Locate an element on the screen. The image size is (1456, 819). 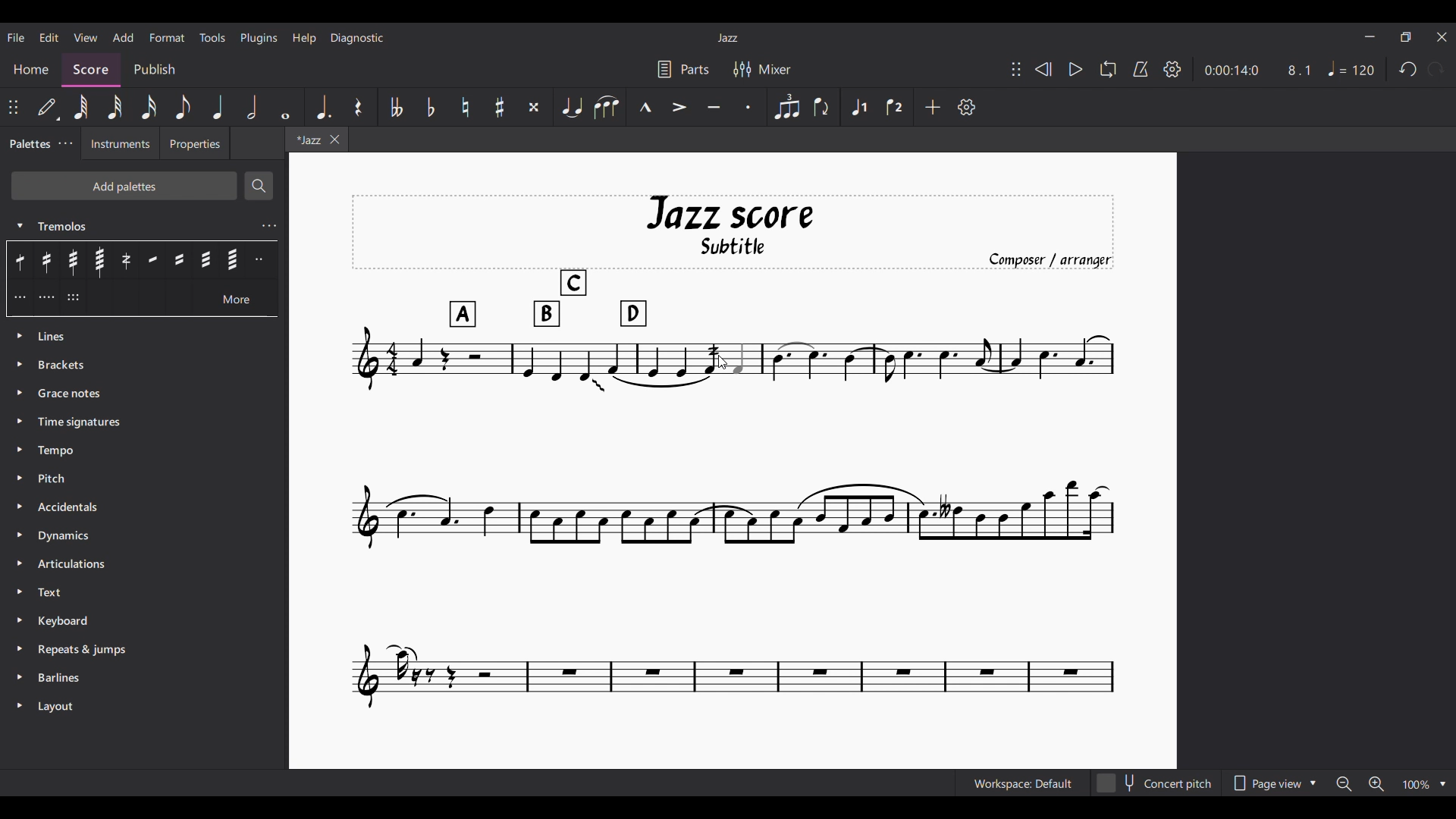
64th between notes is located at coordinates (233, 259).